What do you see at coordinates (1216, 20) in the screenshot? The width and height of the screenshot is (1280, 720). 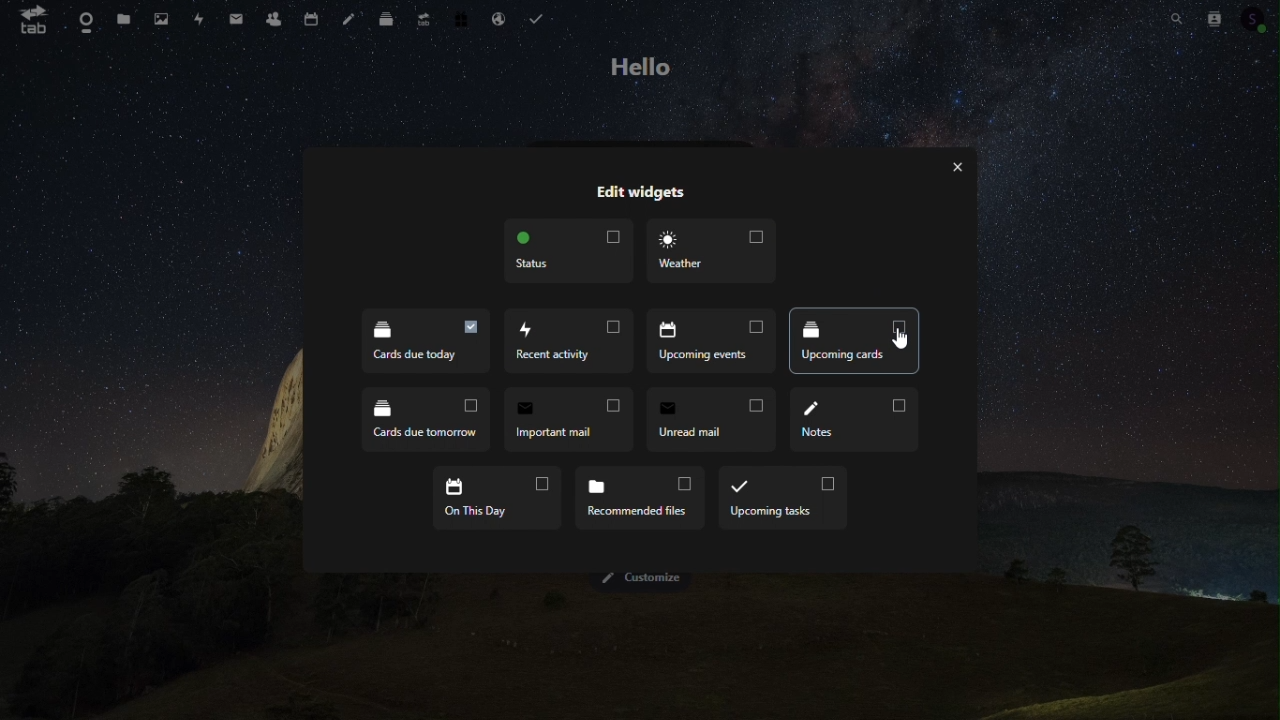 I see `Contacts` at bounding box center [1216, 20].